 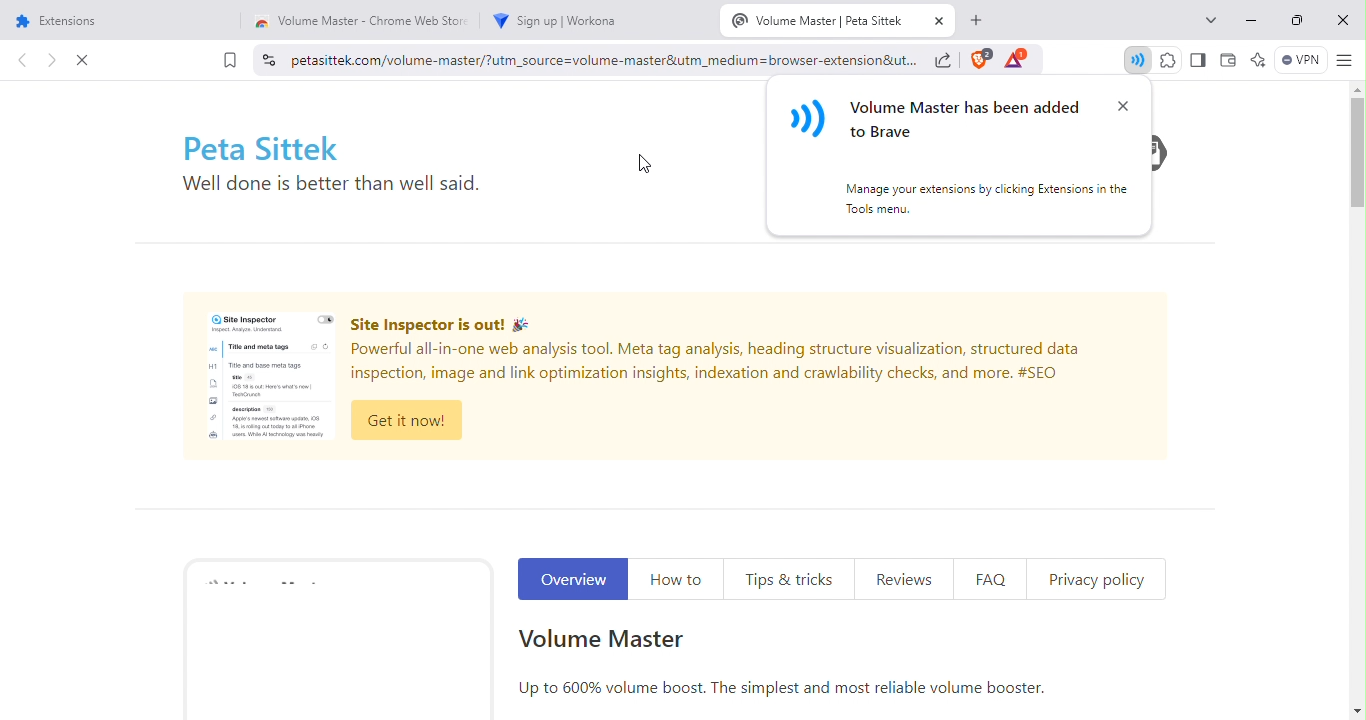 What do you see at coordinates (1254, 21) in the screenshot?
I see `minimize` at bounding box center [1254, 21].